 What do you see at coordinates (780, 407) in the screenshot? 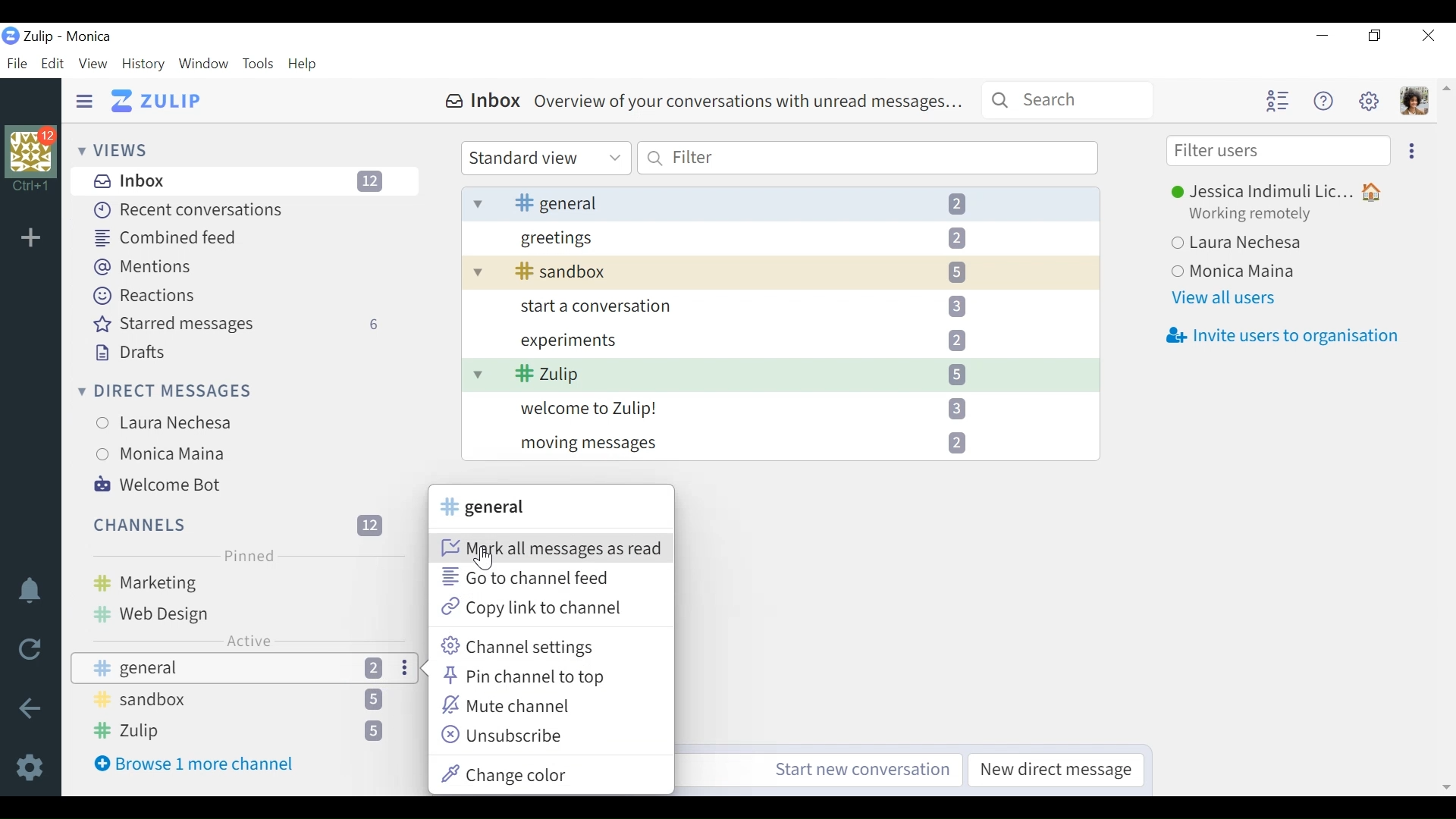
I see `Welcome to Zulip! 3` at bounding box center [780, 407].